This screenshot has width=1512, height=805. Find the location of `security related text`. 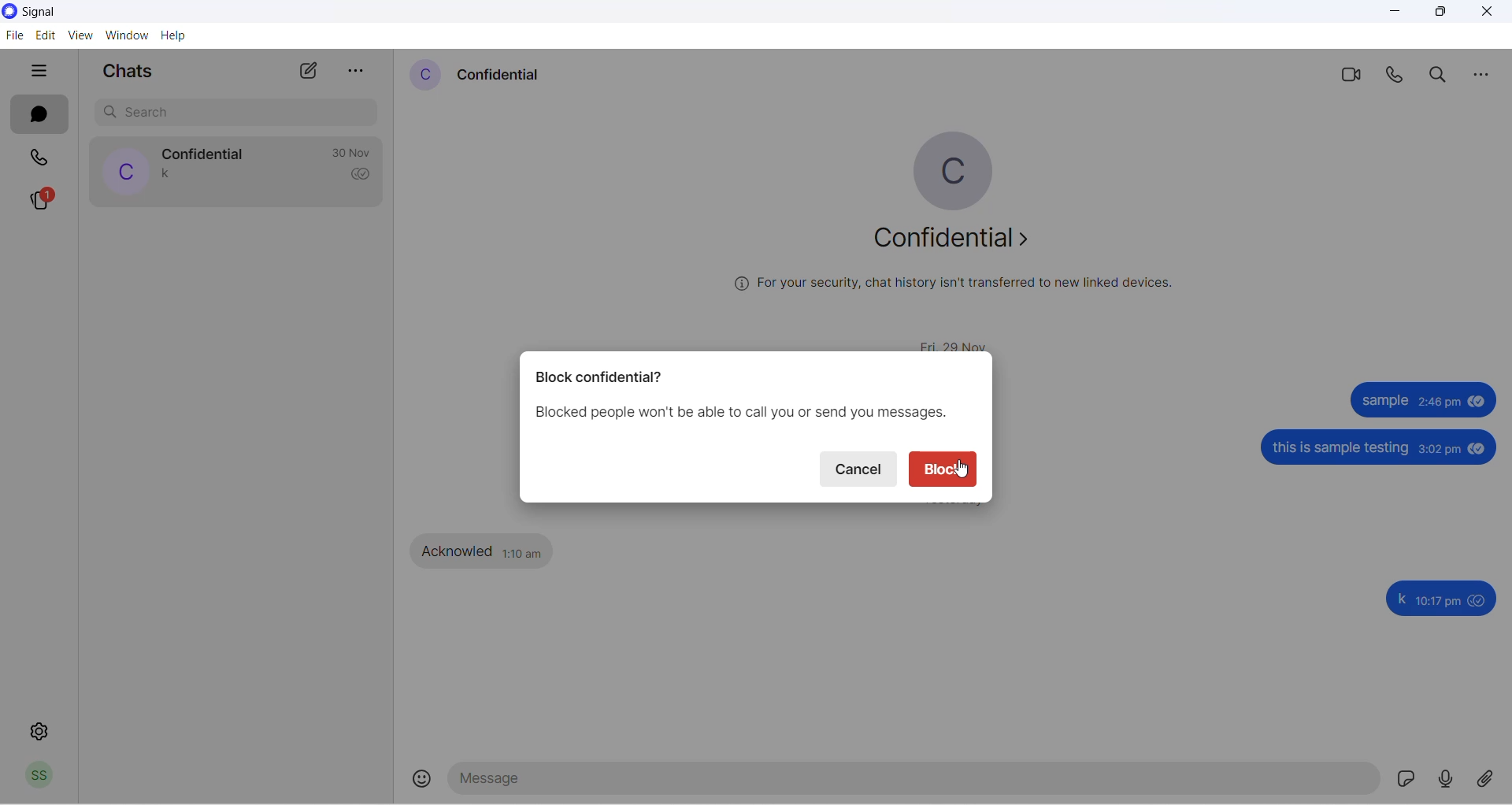

security related text is located at coordinates (961, 291).